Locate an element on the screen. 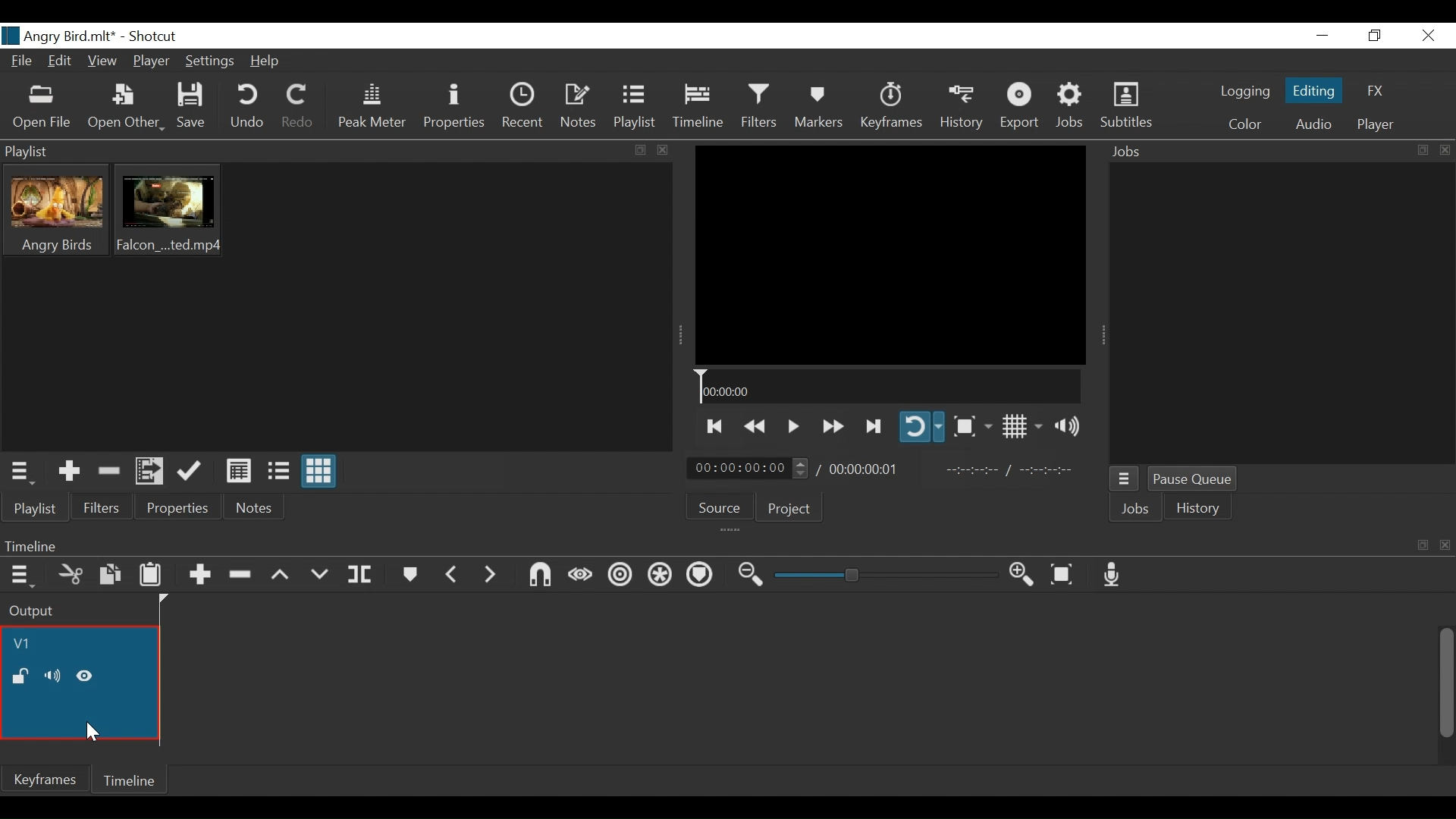  scrub wile dragging is located at coordinates (581, 576).